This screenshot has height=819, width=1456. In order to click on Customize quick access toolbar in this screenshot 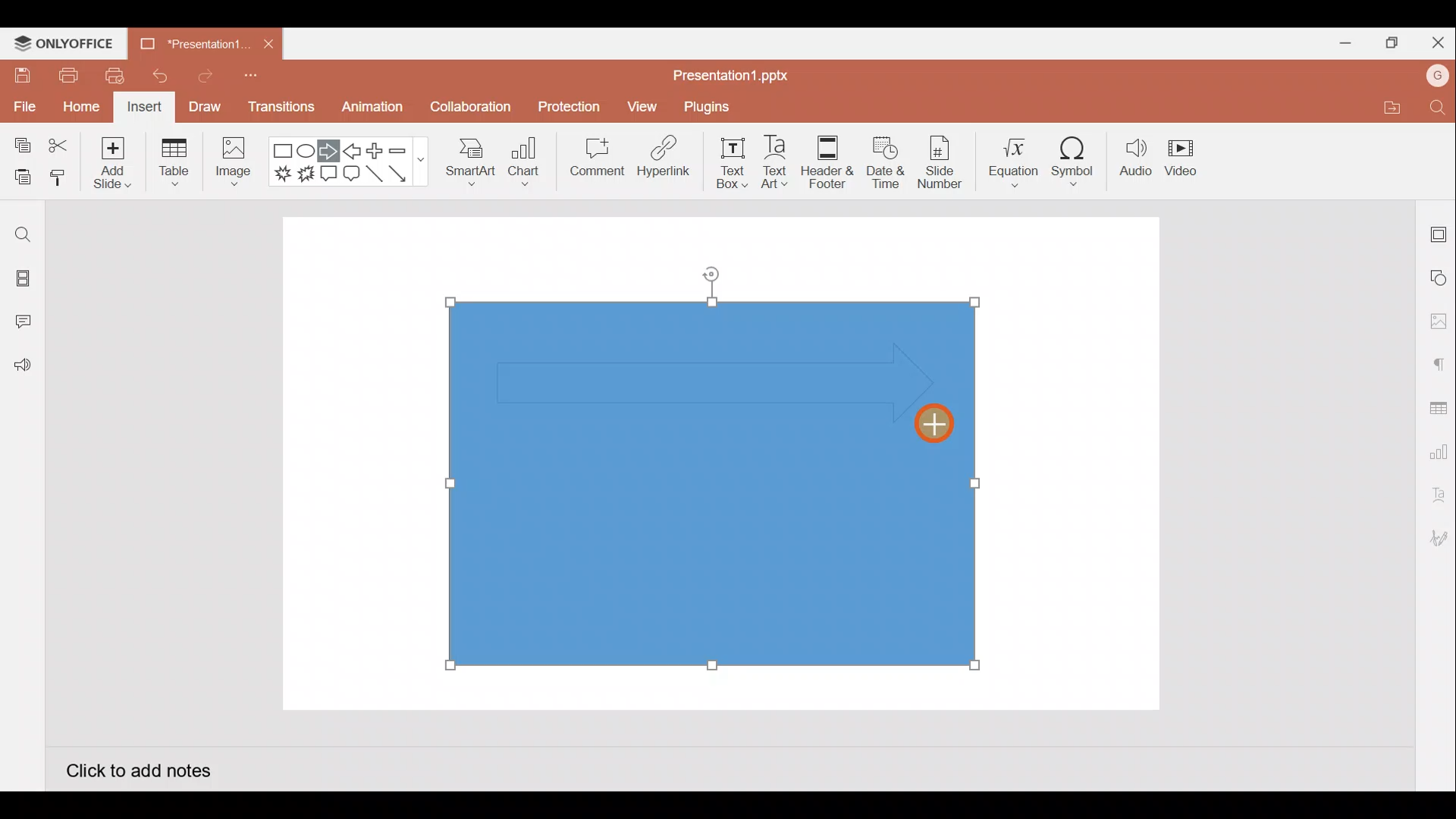, I will do `click(256, 80)`.